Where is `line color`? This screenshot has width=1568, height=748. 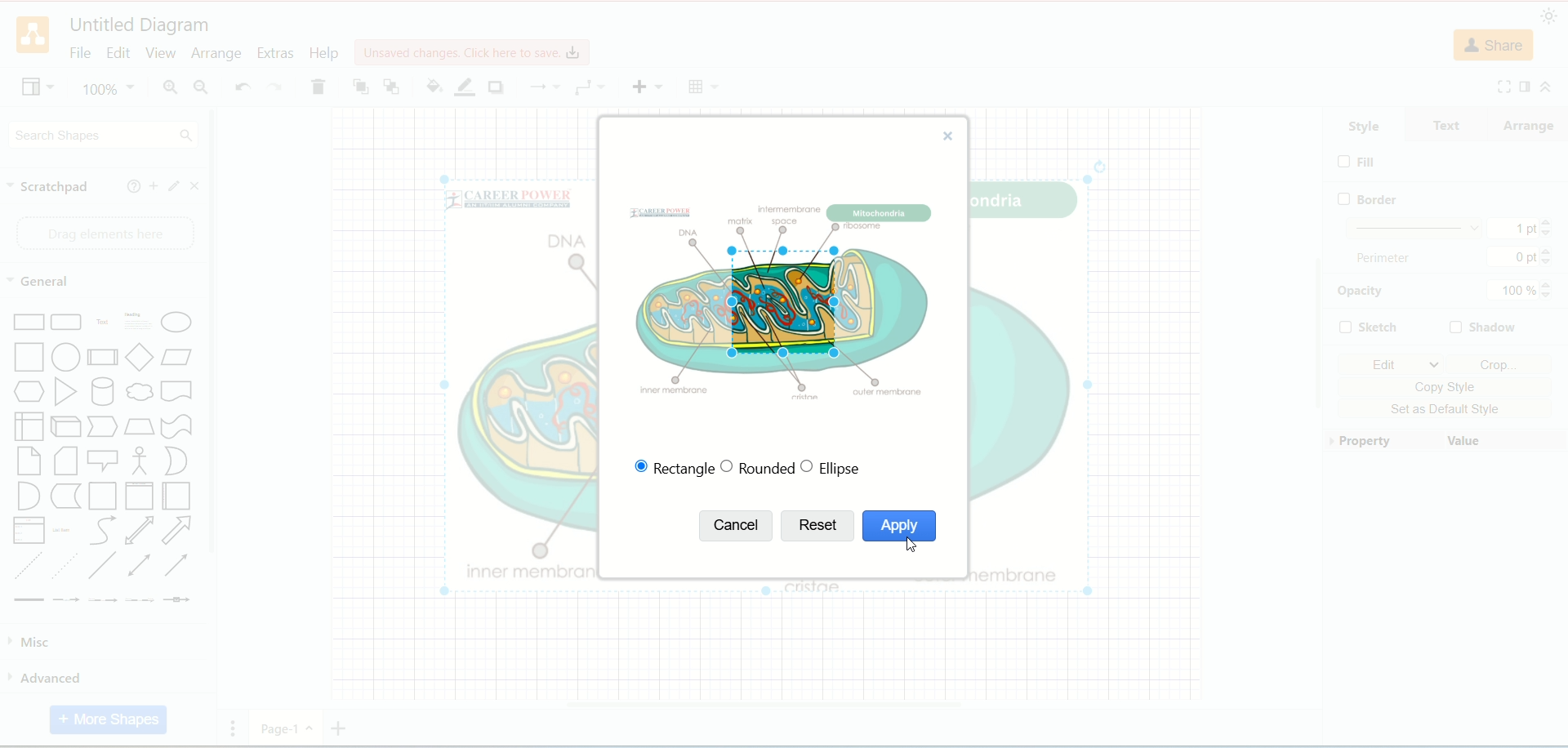
line color is located at coordinates (464, 87).